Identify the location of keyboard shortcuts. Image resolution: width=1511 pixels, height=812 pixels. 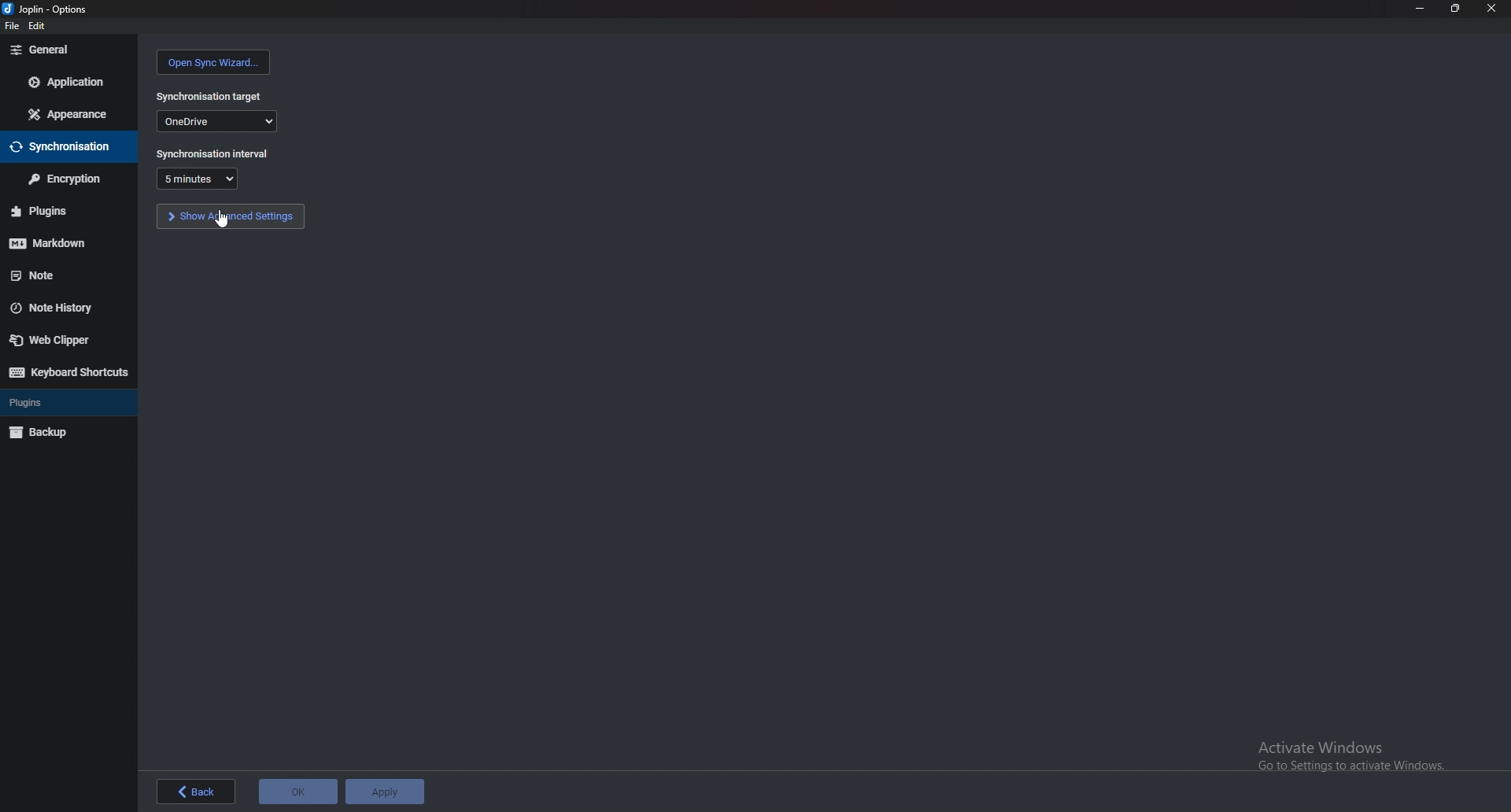
(67, 372).